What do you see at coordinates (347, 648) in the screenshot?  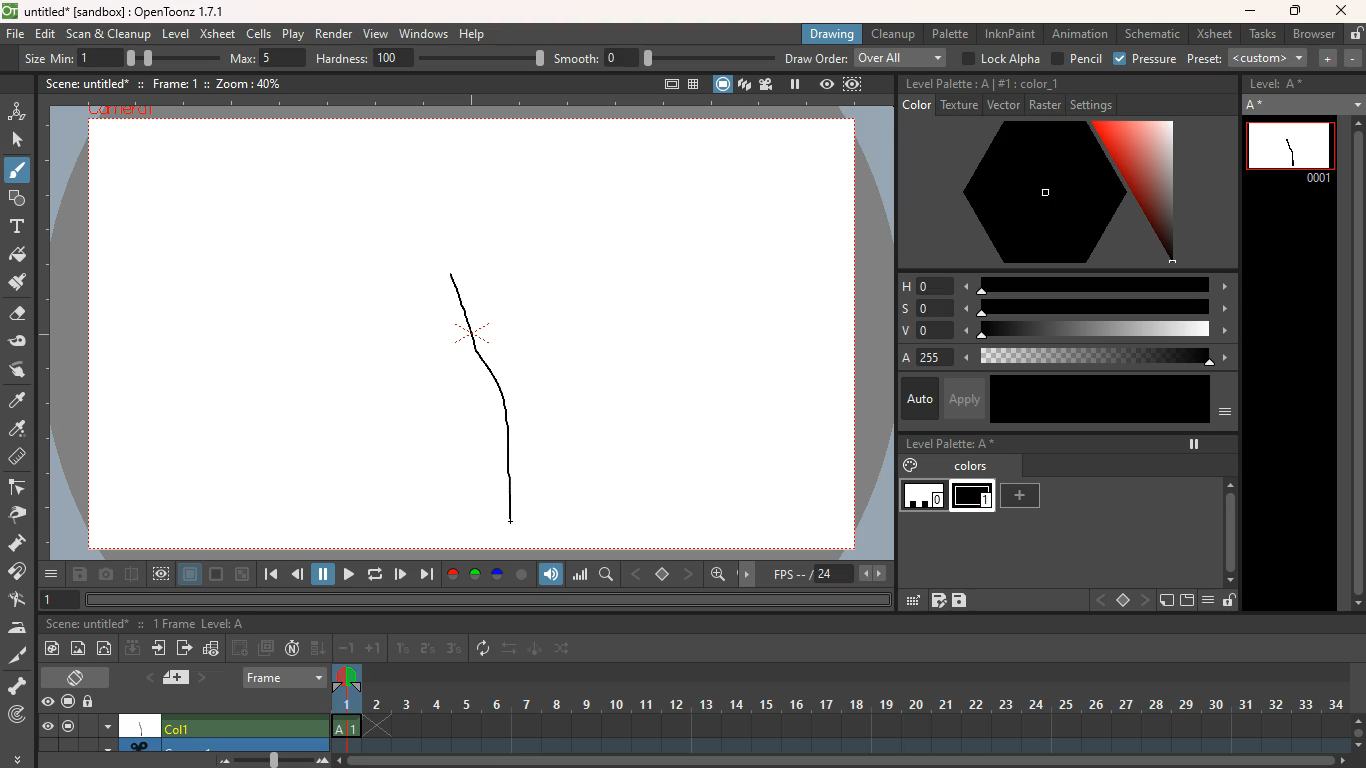 I see `-1` at bounding box center [347, 648].